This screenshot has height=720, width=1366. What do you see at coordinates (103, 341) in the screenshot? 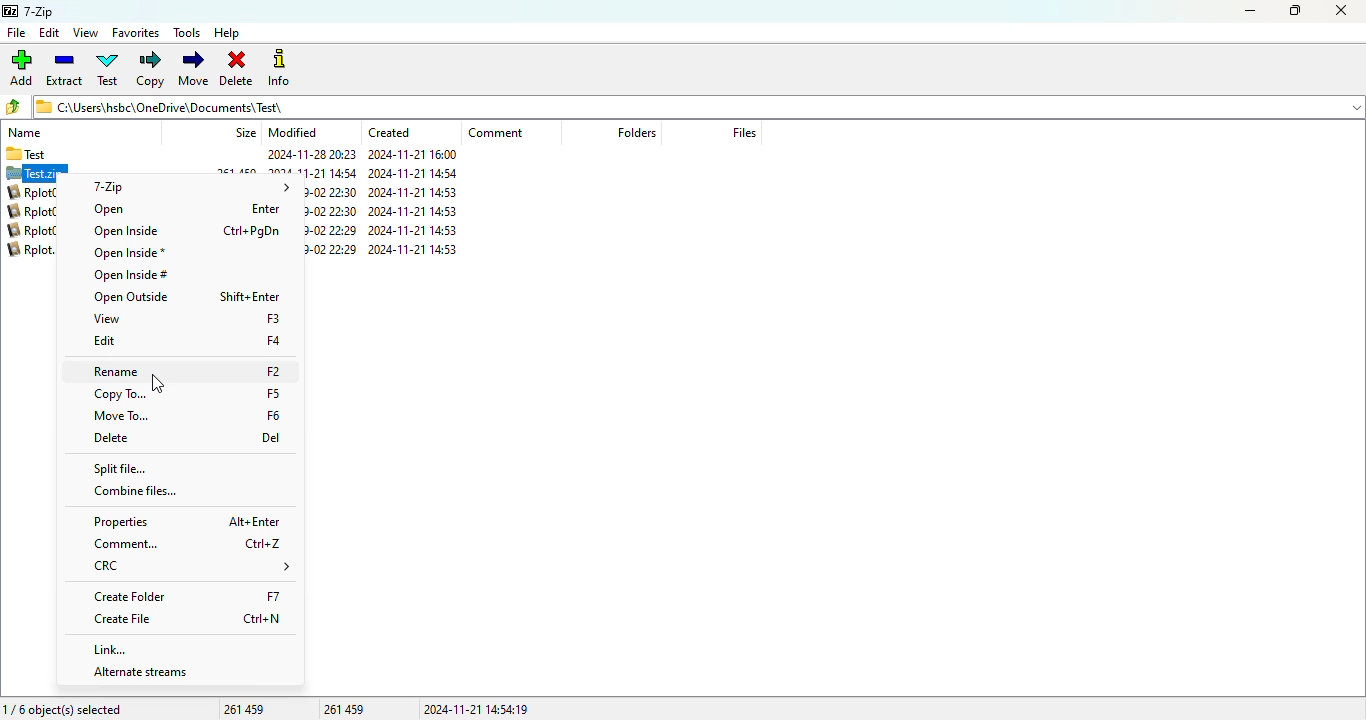
I see `edit` at bounding box center [103, 341].